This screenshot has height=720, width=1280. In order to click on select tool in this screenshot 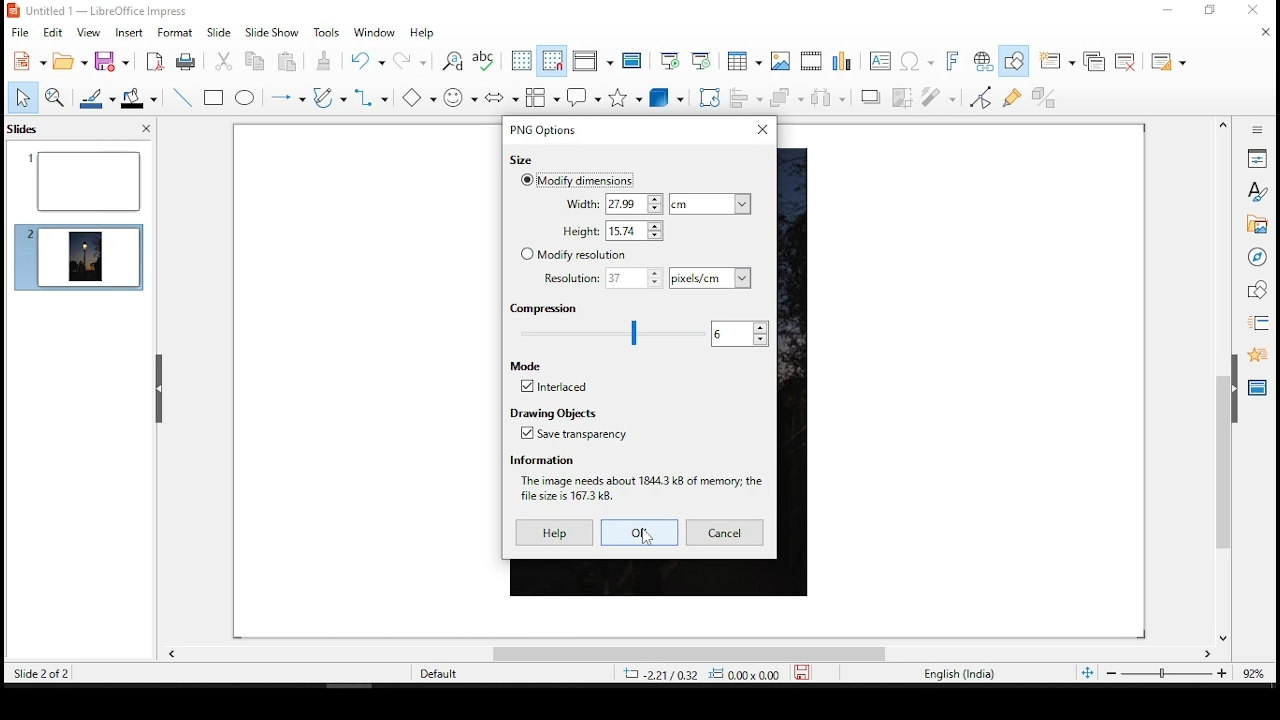, I will do `click(24, 97)`.